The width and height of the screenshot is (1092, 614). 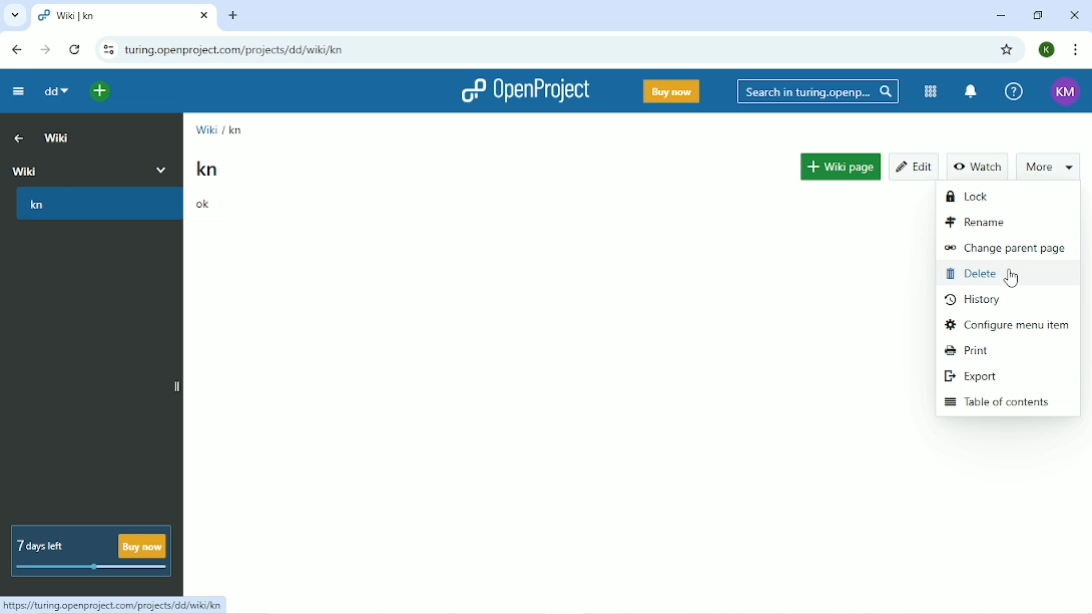 What do you see at coordinates (147, 547) in the screenshot?
I see `buy now ` at bounding box center [147, 547].